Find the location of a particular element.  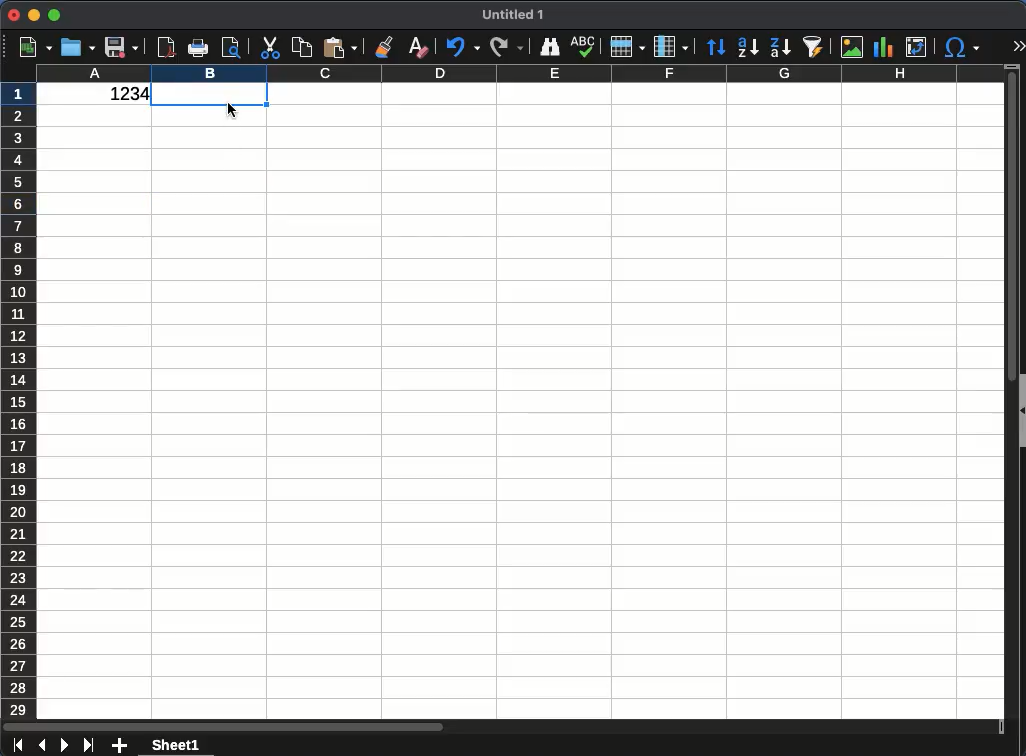

new is located at coordinates (34, 48).